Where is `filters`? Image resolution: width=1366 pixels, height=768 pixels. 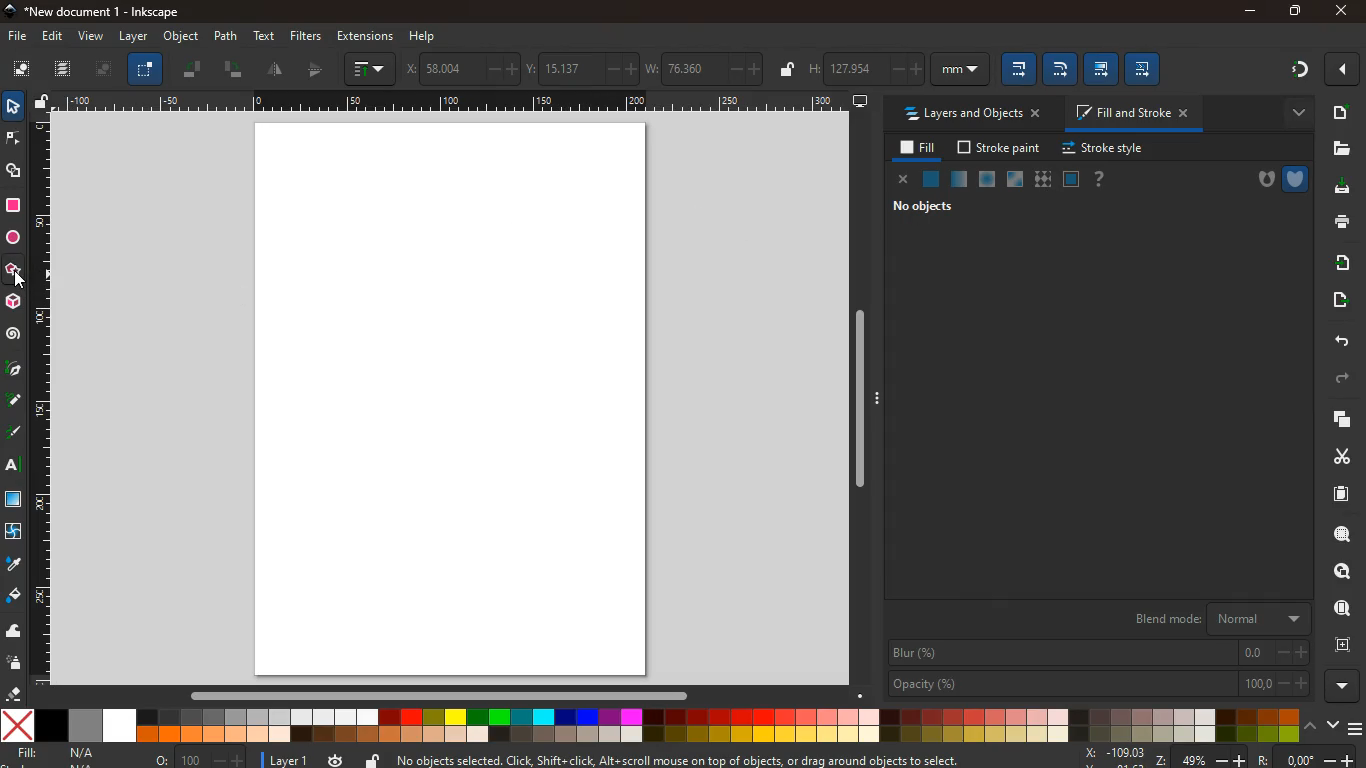 filters is located at coordinates (306, 35).